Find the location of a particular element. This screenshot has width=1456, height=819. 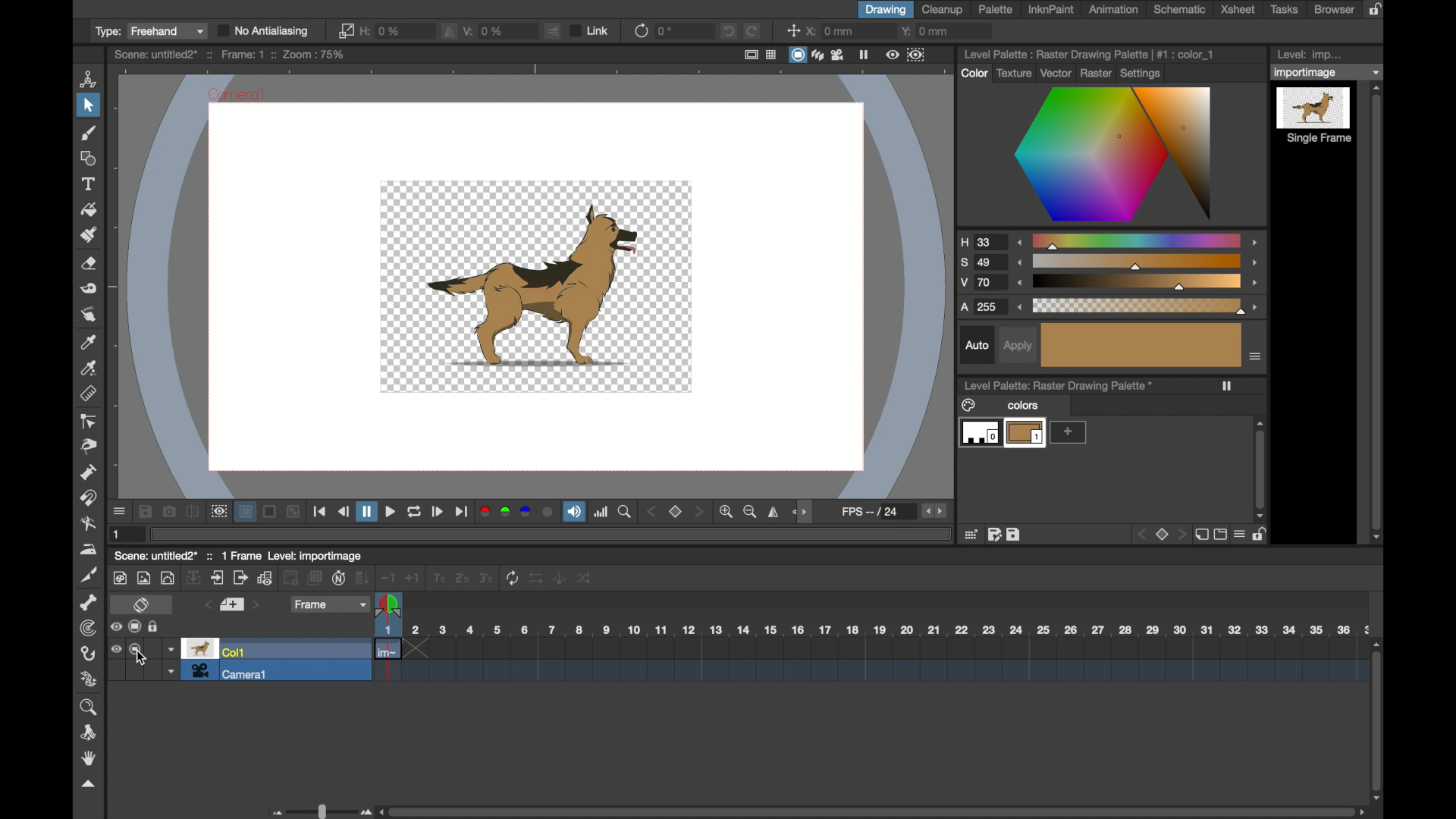

shape tool is located at coordinates (86, 158).